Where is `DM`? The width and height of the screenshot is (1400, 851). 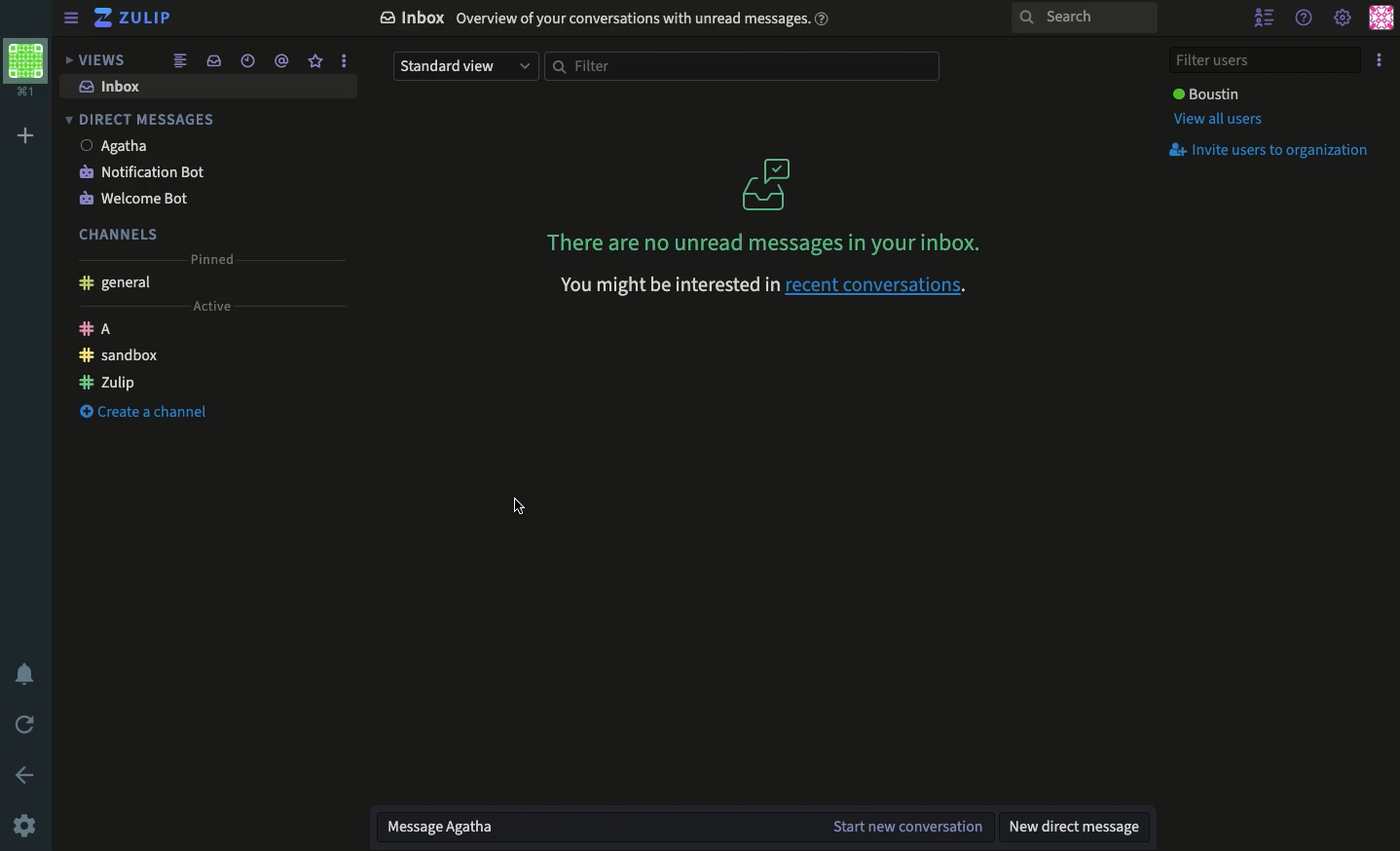 DM is located at coordinates (142, 120).